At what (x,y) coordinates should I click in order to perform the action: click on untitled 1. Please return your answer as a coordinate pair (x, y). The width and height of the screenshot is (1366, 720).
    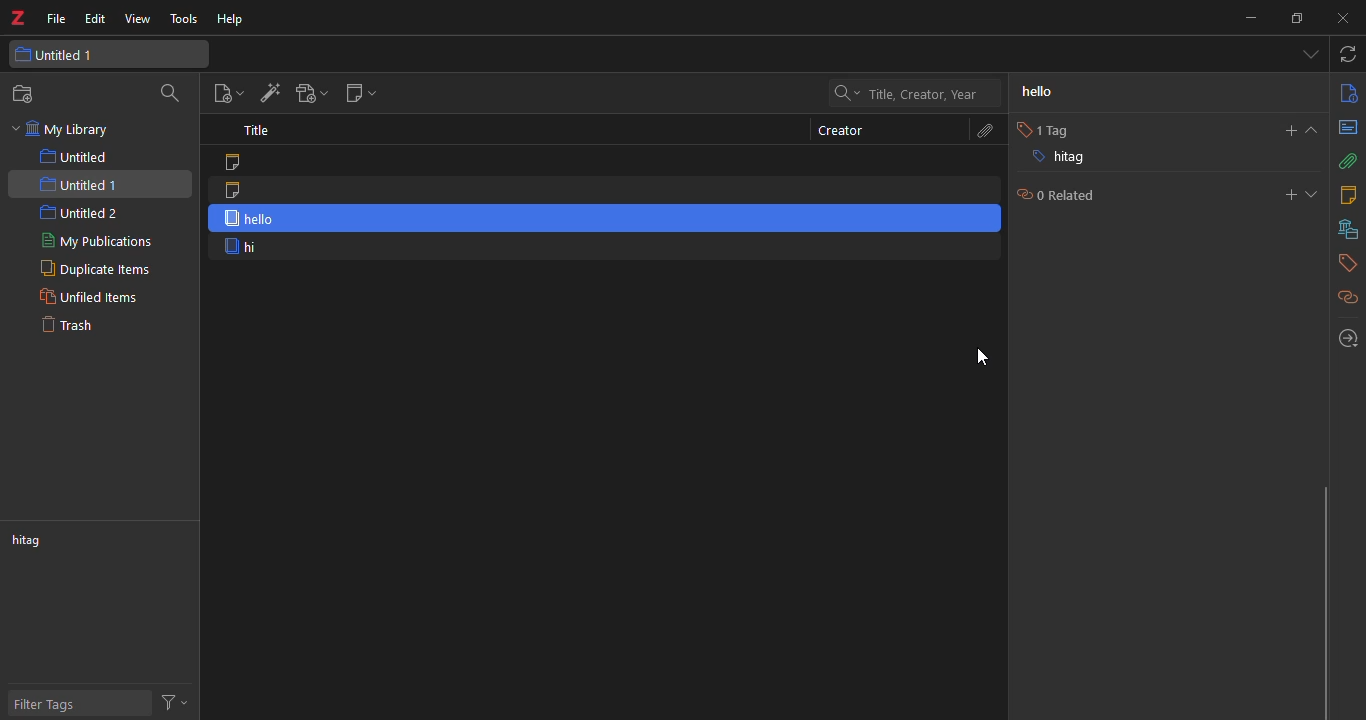
    Looking at the image, I should click on (74, 55).